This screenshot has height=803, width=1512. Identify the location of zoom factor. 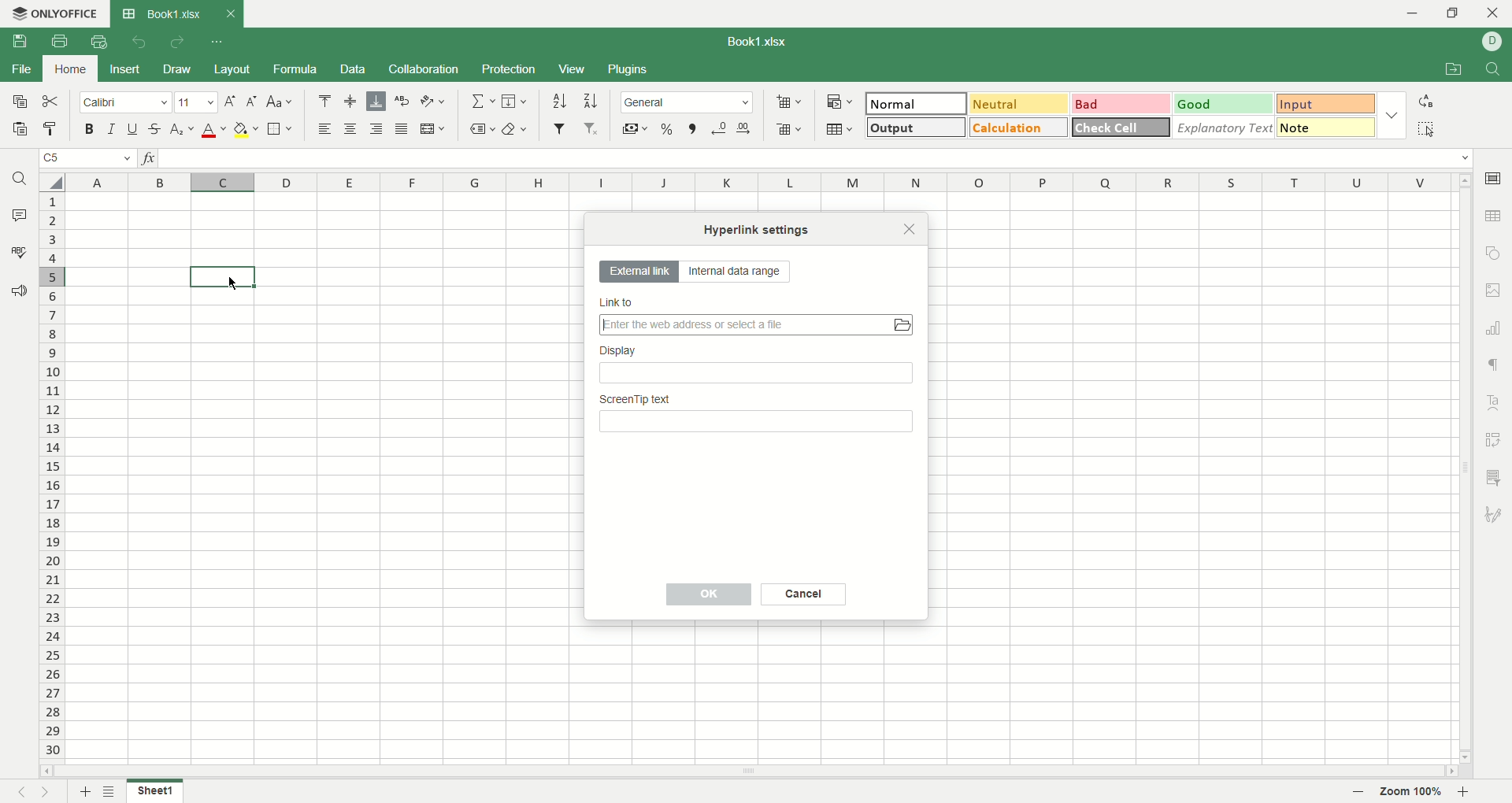
(1415, 792).